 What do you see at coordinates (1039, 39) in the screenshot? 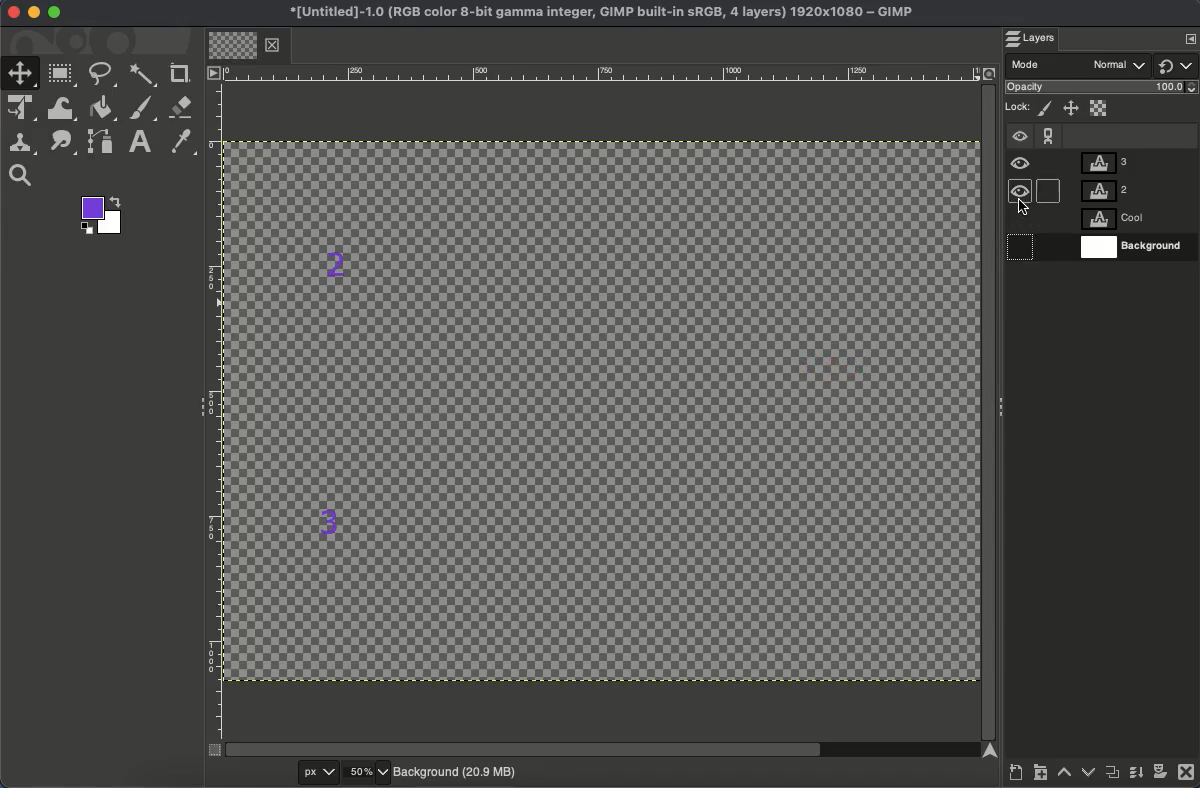
I see `Layers` at bounding box center [1039, 39].